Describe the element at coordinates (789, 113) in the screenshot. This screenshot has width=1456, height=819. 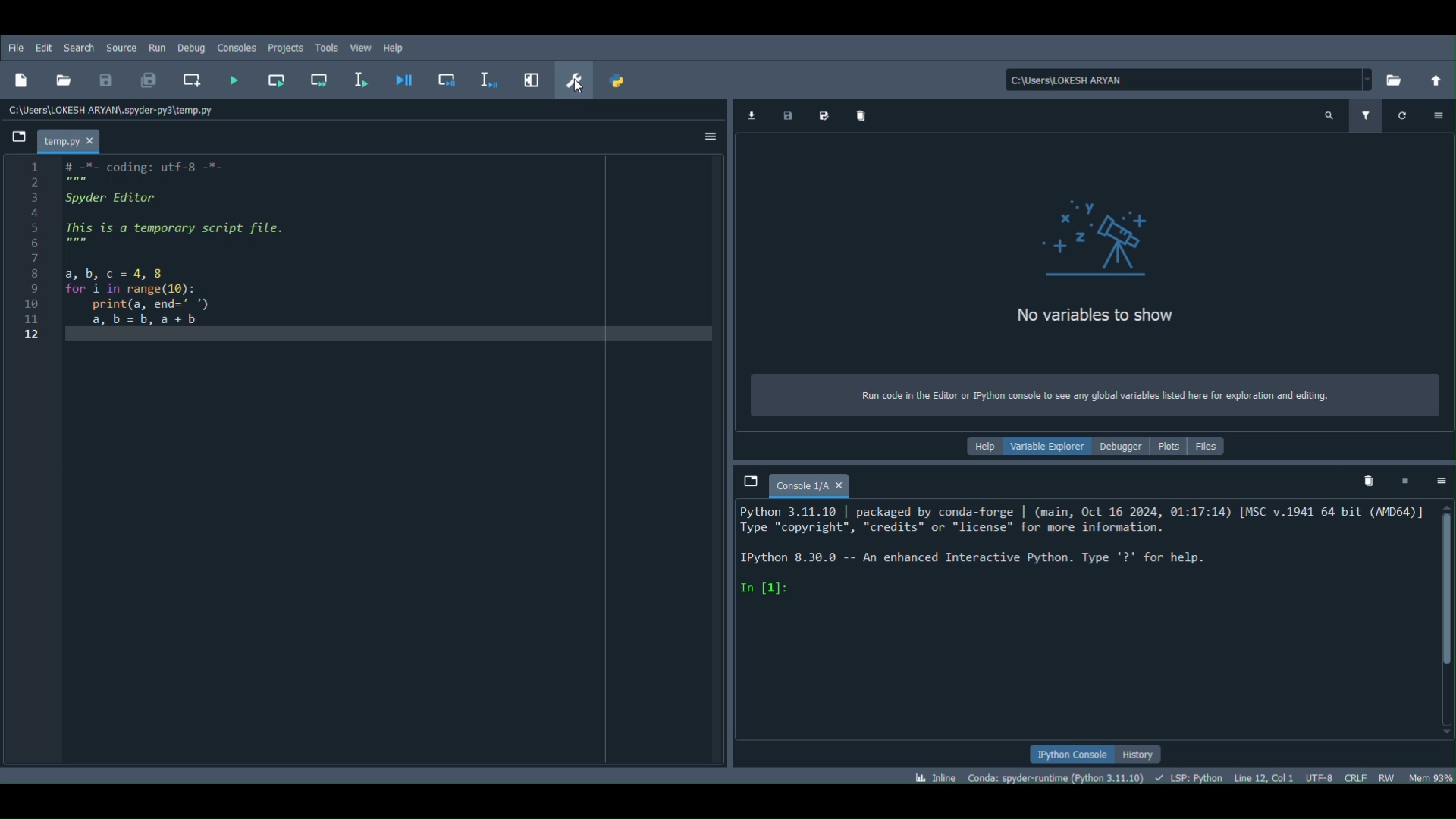
I see `Save data` at that location.